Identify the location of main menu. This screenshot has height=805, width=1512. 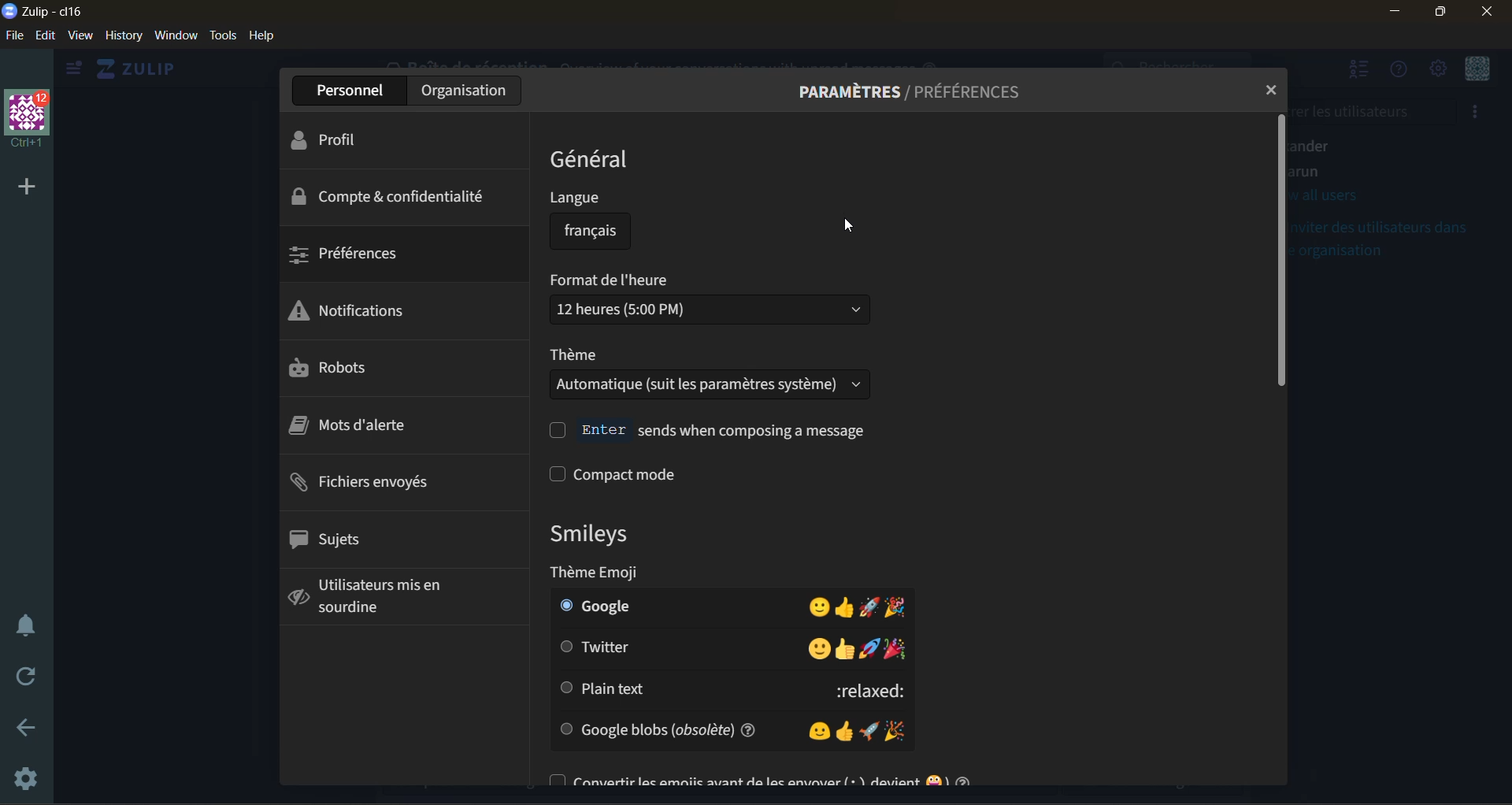
(1440, 72).